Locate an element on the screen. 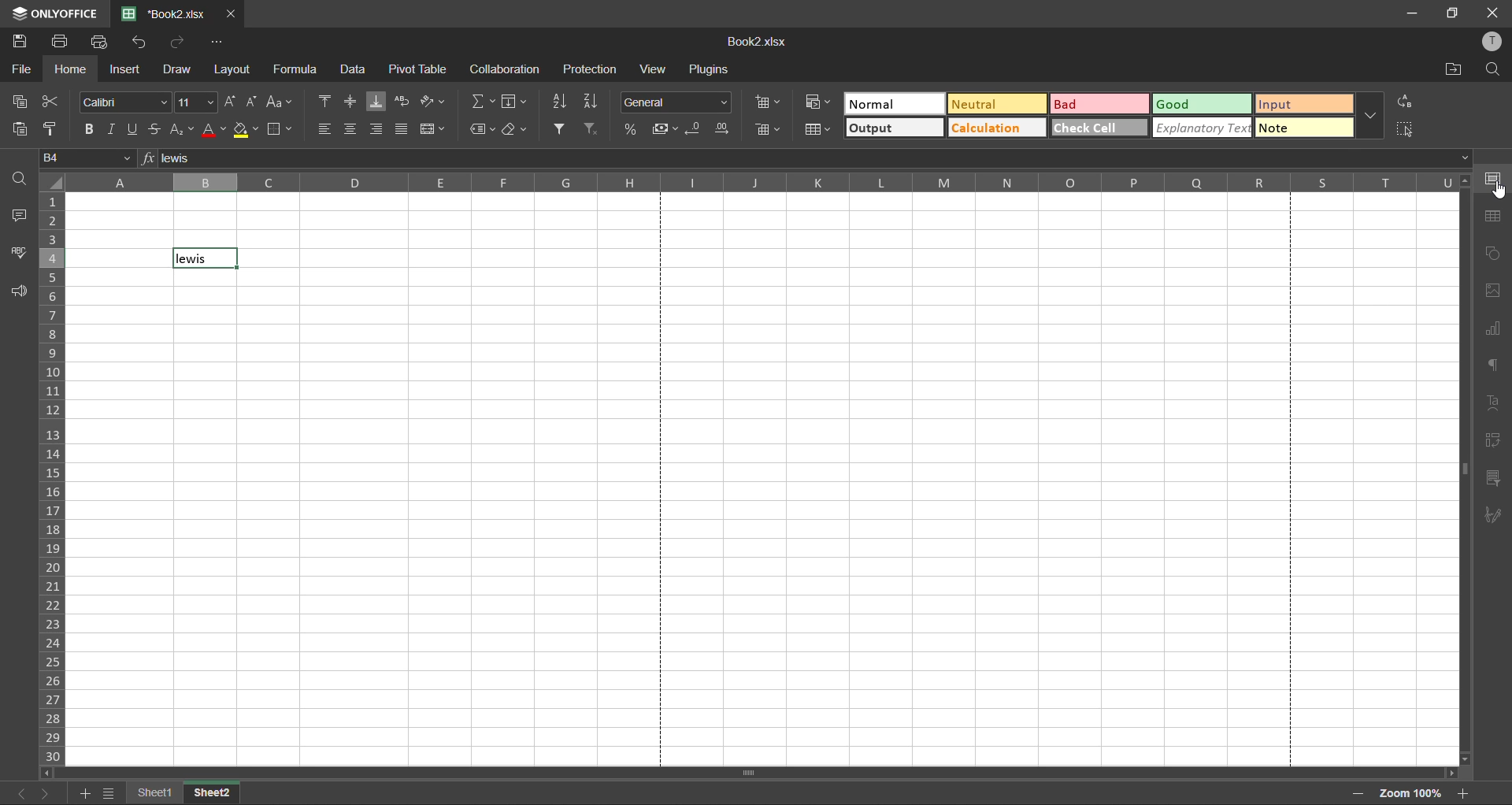 This screenshot has width=1512, height=805. insert is located at coordinates (128, 69).